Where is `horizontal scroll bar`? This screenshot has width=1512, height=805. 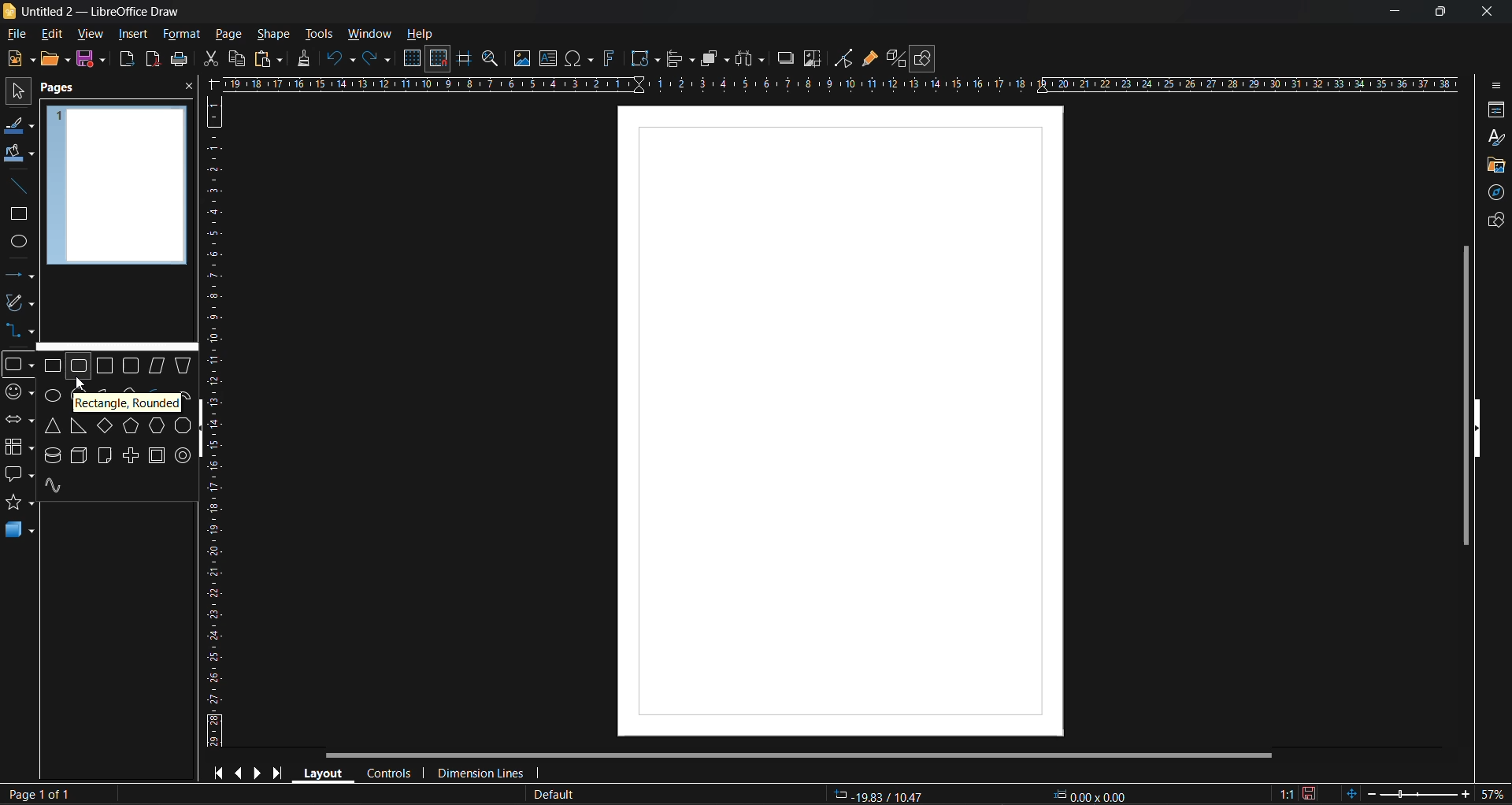
horizontal scroll bar is located at coordinates (797, 757).